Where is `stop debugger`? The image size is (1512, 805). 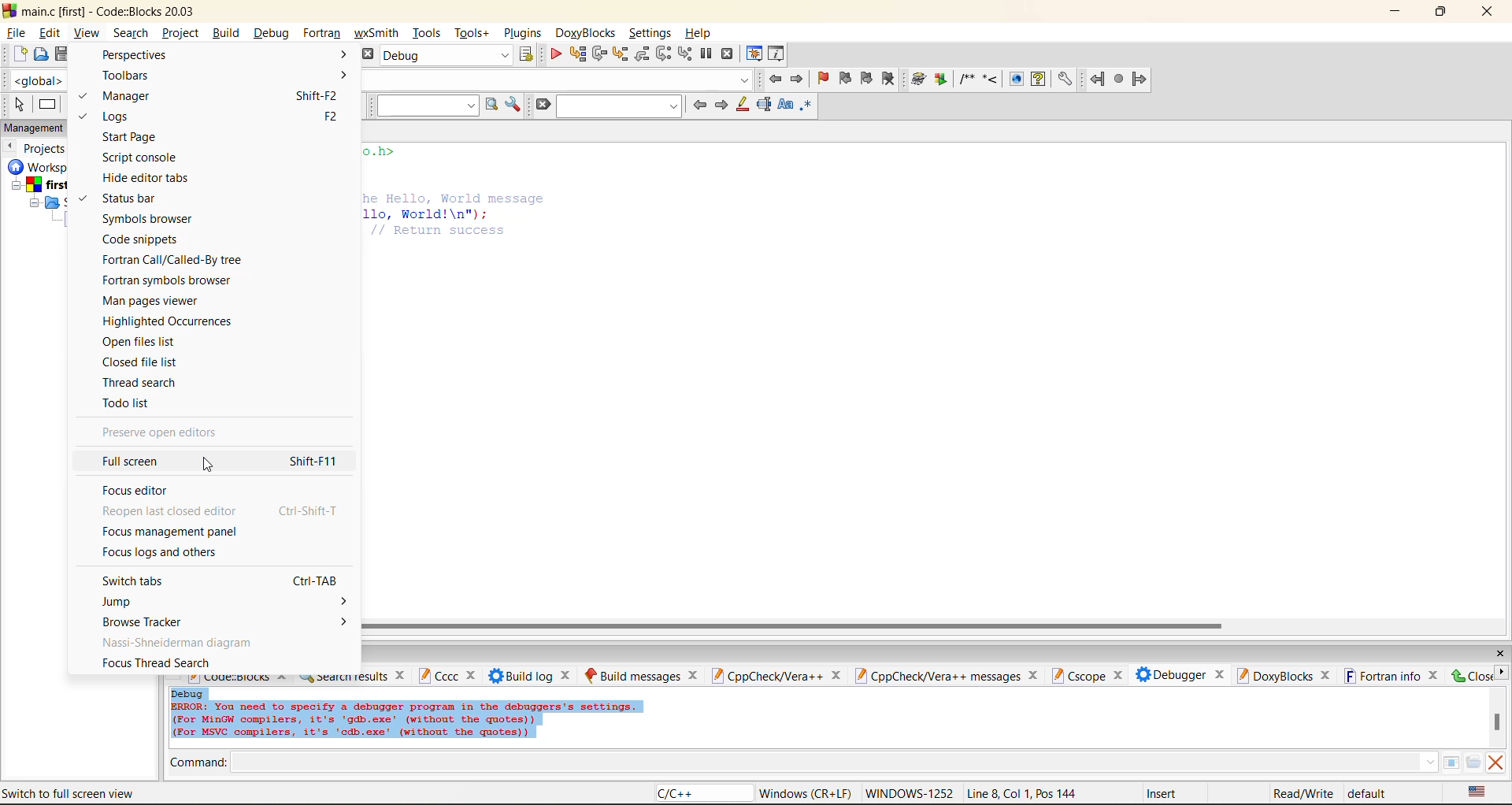 stop debugger is located at coordinates (730, 54).